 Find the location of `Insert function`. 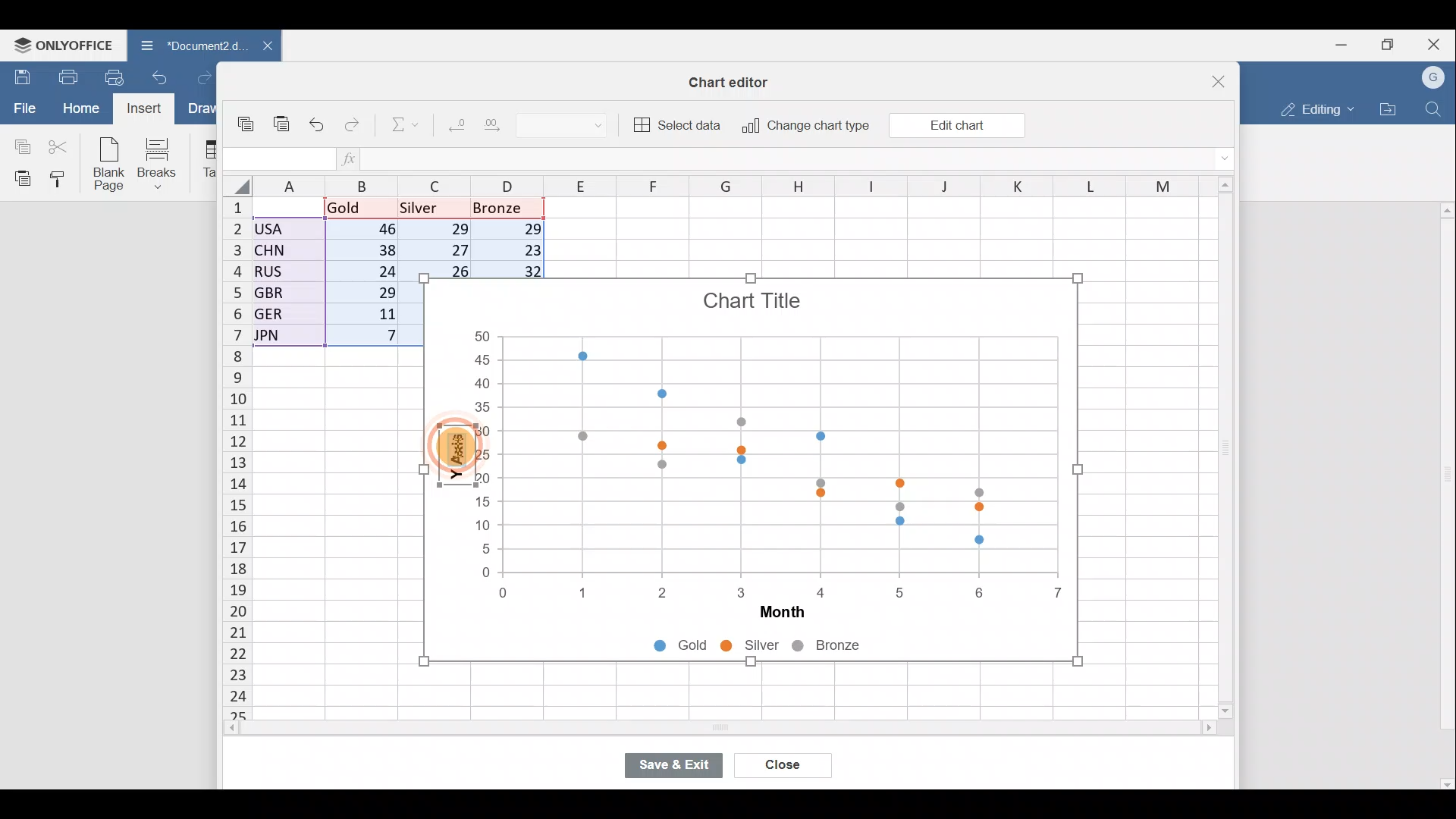

Insert function is located at coordinates (350, 158).